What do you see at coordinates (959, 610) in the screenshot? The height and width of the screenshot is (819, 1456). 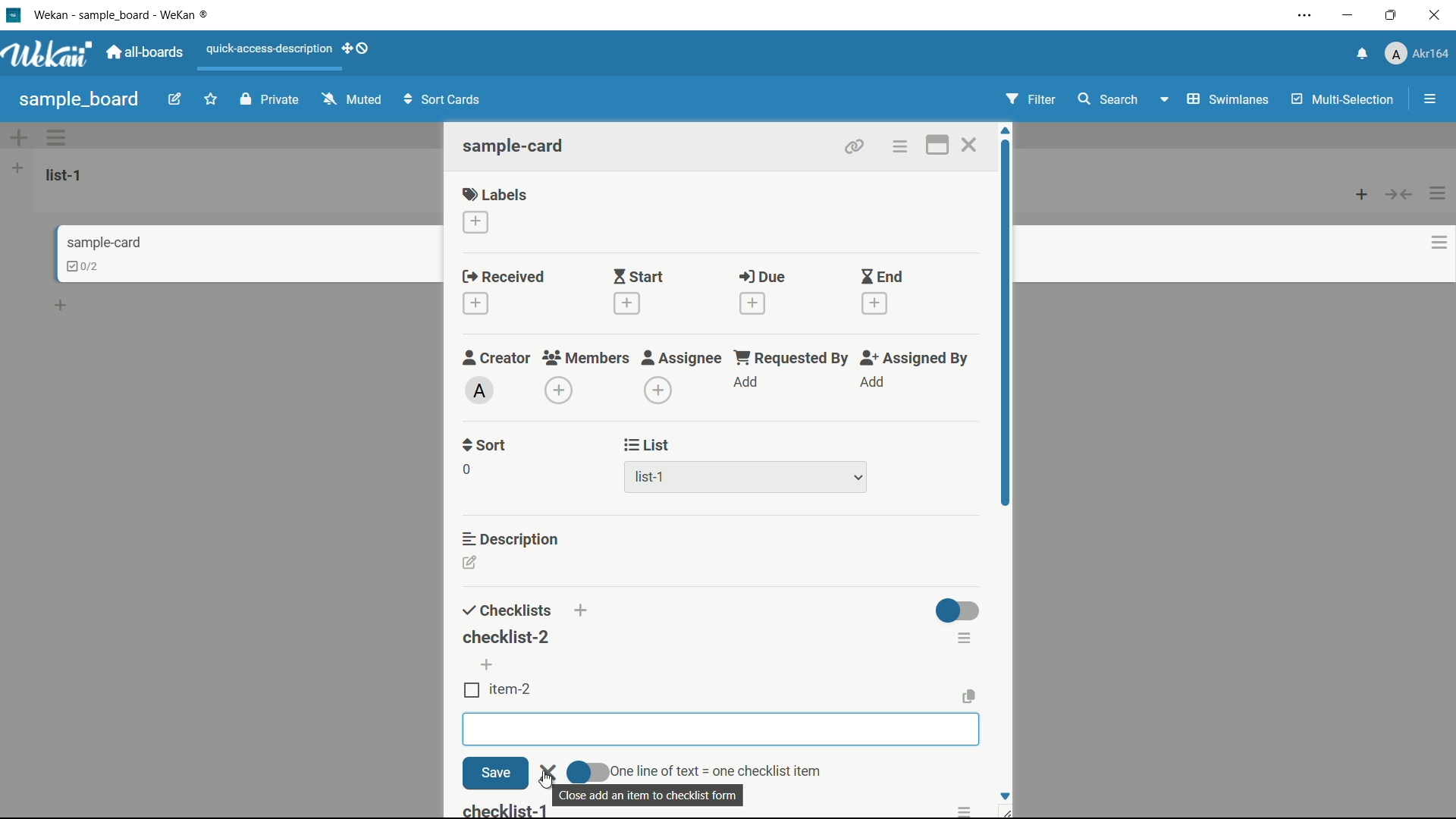 I see `toggle button` at bounding box center [959, 610].